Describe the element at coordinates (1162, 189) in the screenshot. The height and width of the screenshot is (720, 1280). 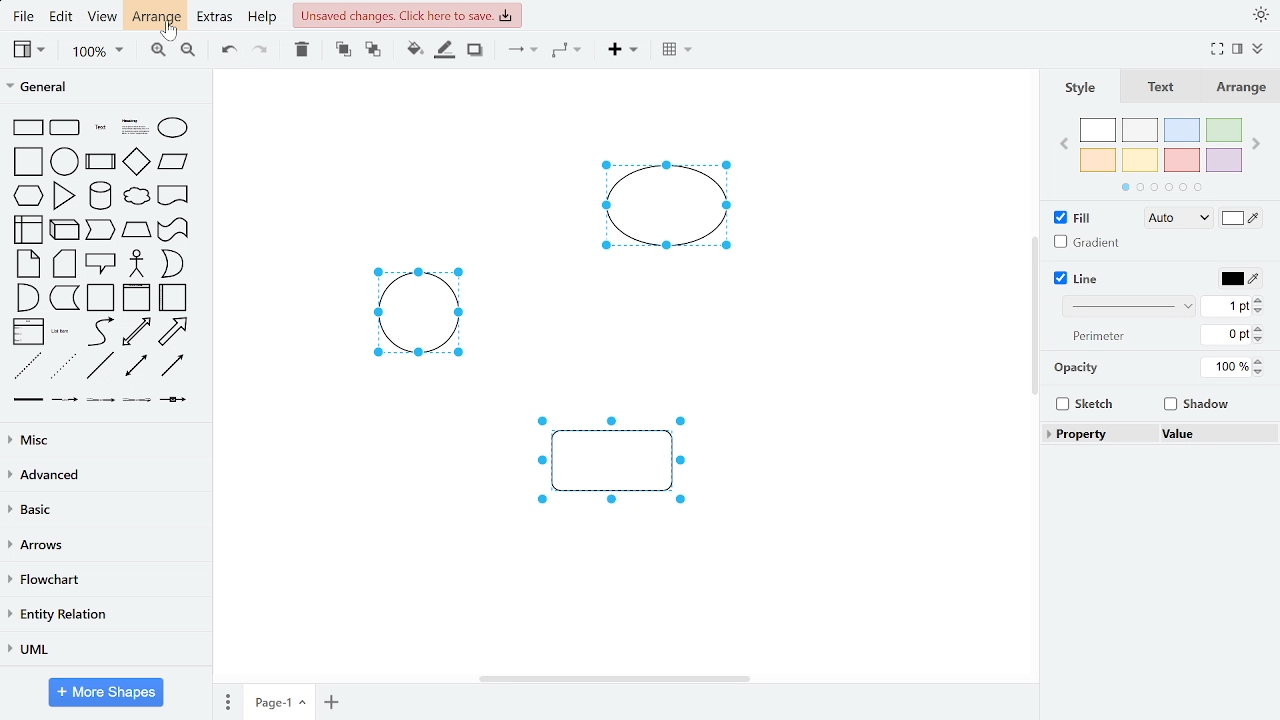
I see `pages in colors` at that location.